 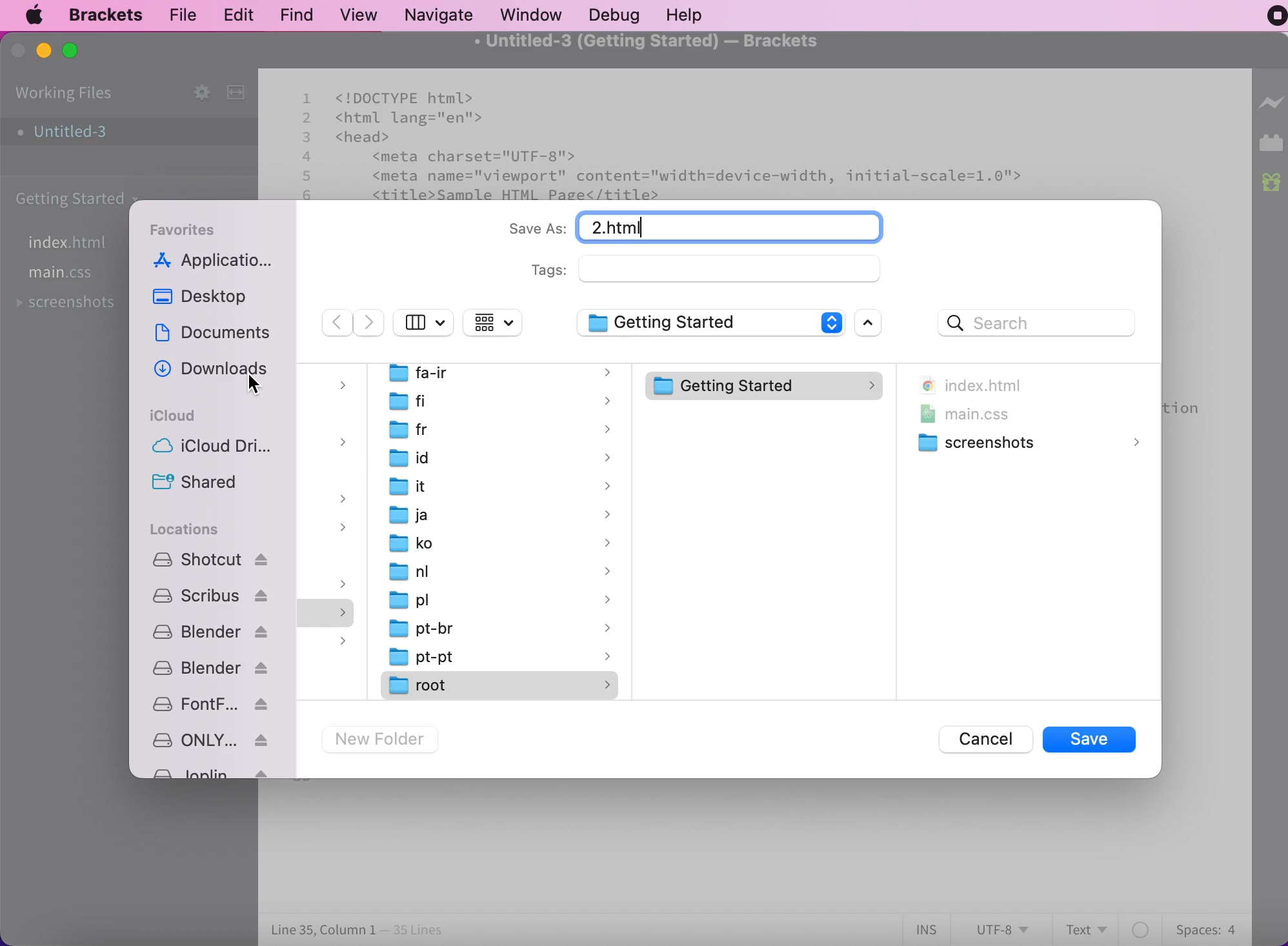 What do you see at coordinates (1093, 741) in the screenshot?
I see `save` at bounding box center [1093, 741].